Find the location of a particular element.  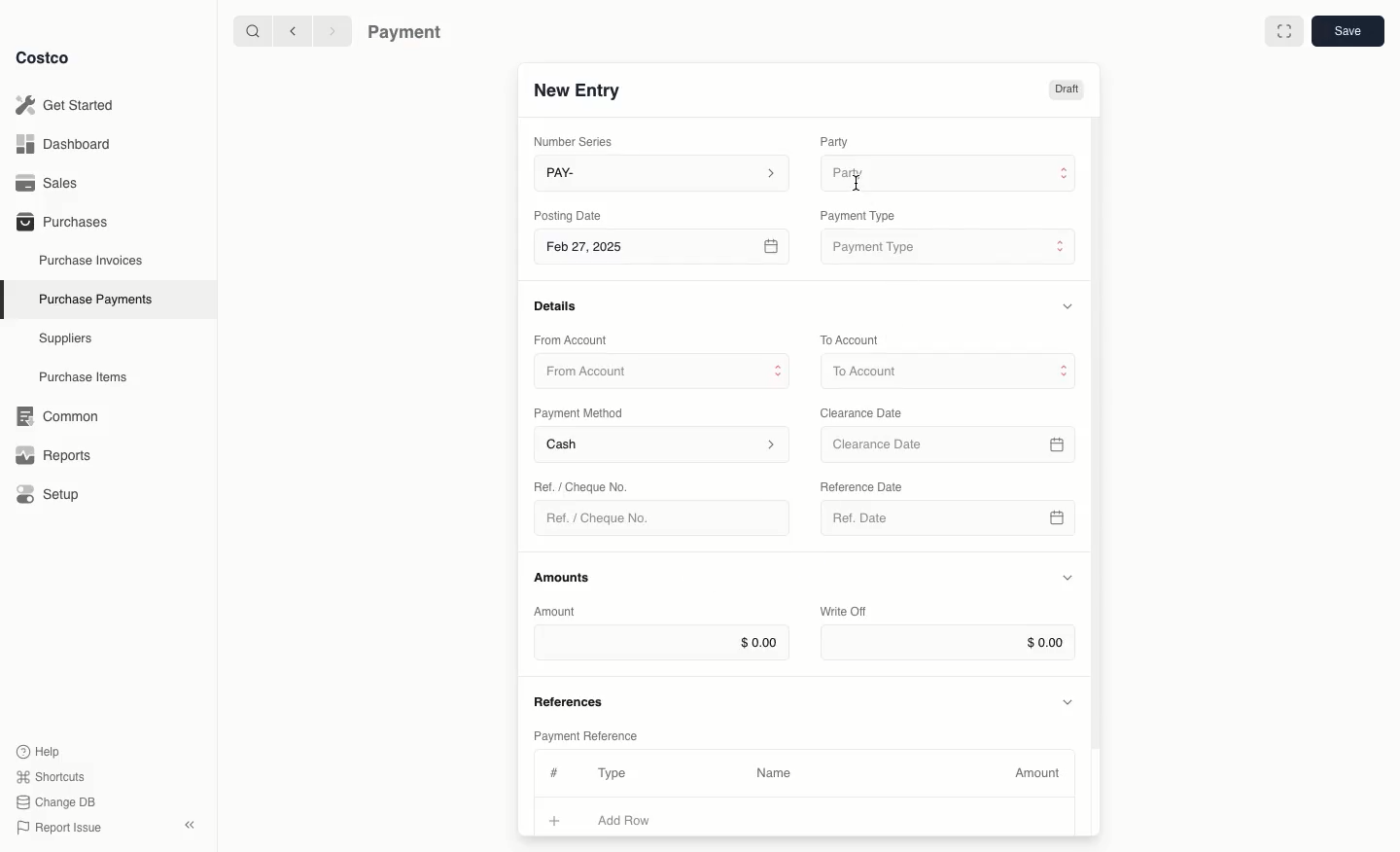

Search is located at coordinates (252, 29).